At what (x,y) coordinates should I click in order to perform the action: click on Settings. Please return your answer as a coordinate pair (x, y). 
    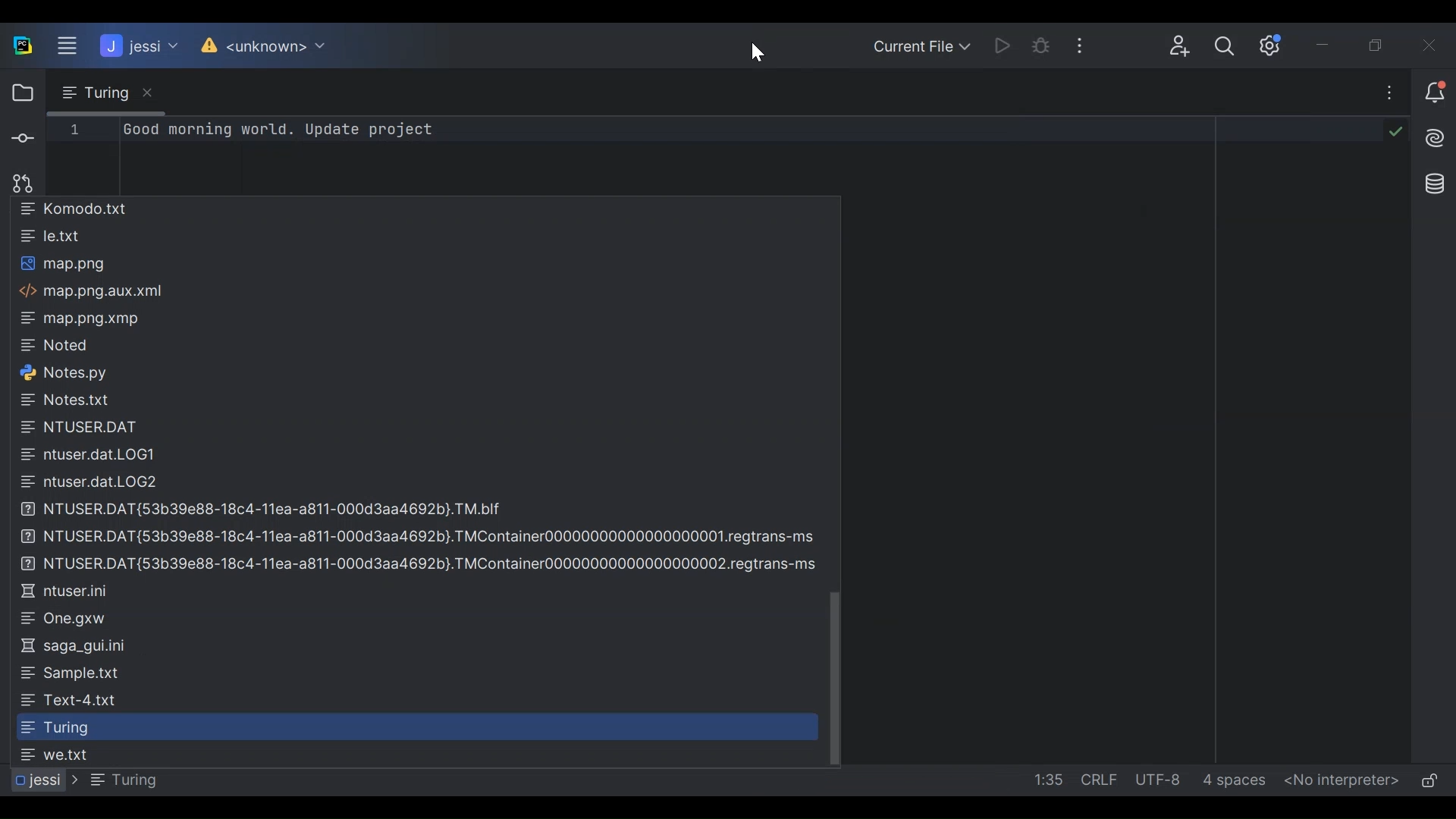
    Looking at the image, I should click on (1274, 45).